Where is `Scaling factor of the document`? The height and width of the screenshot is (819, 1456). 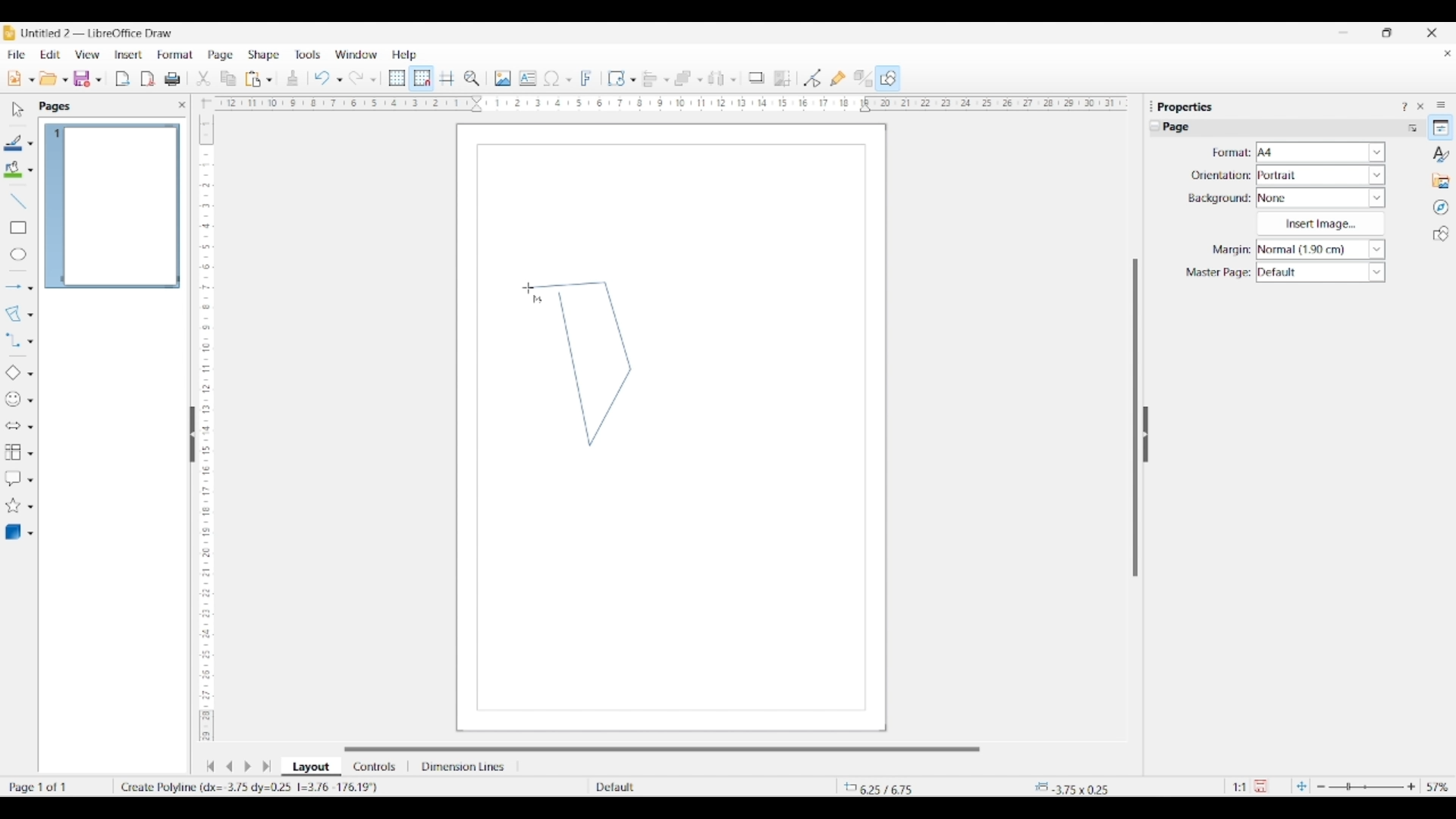 Scaling factor of the document is located at coordinates (1240, 787).